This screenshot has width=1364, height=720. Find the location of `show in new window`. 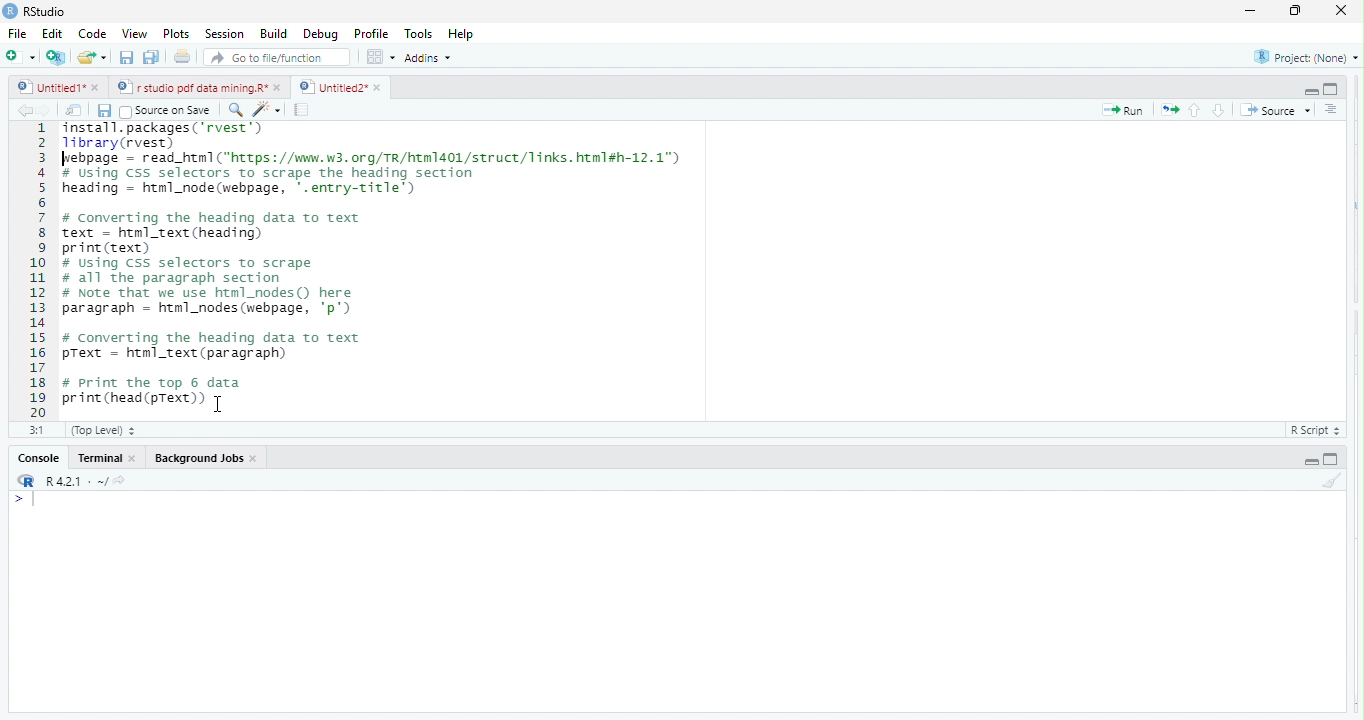

show in new window is located at coordinates (75, 112).